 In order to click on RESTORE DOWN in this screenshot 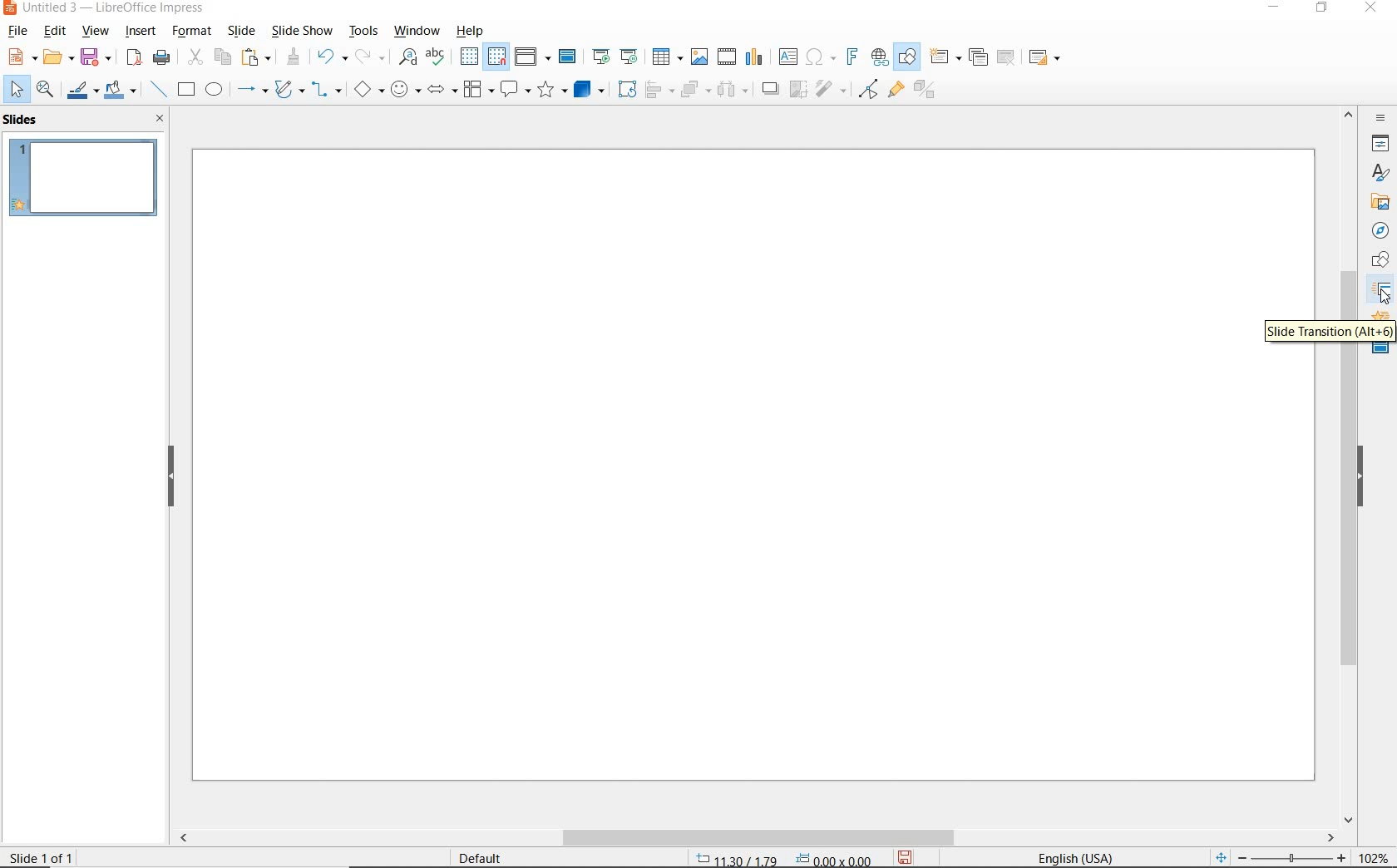, I will do `click(1325, 9)`.